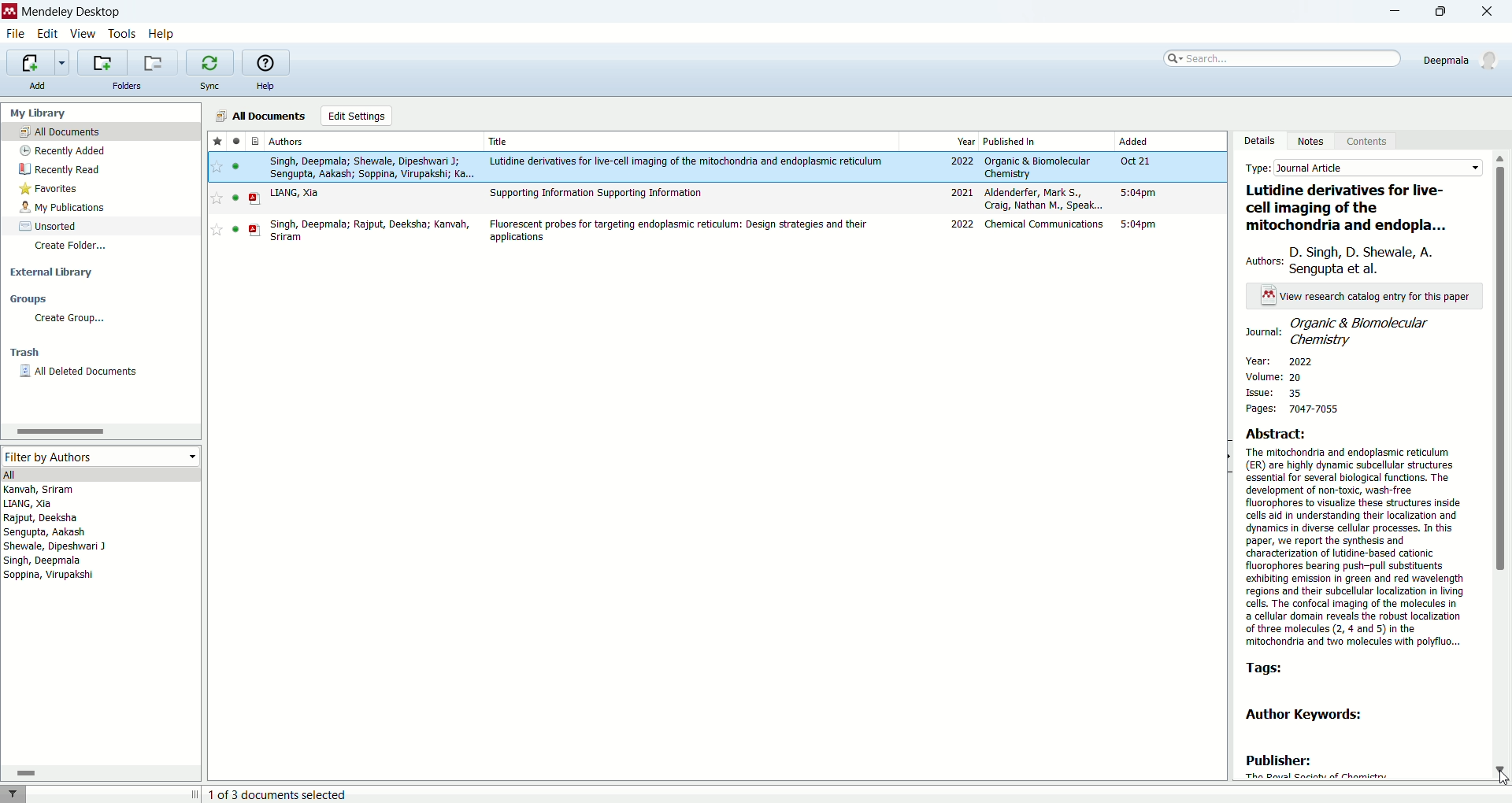 This screenshot has height=803, width=1512. What do you see at coordinates (80, 372) in the screenshot?
I see `all deleted documents` at bounding box center [80, 372].